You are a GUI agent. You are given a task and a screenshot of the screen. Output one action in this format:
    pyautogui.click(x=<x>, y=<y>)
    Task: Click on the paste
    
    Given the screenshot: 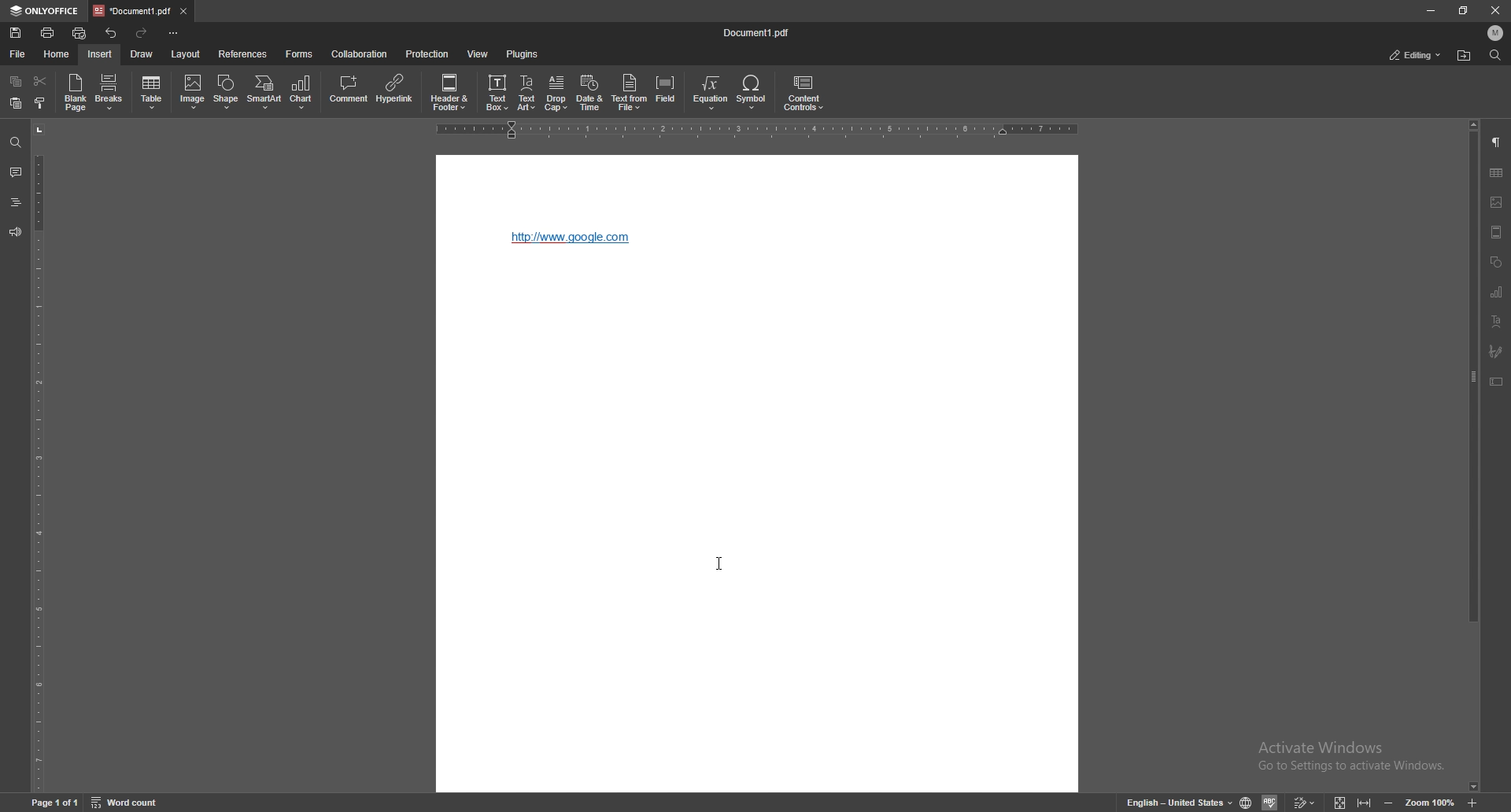 What is the action you would take?
    pyautogui.click(x=17, y=102)
    